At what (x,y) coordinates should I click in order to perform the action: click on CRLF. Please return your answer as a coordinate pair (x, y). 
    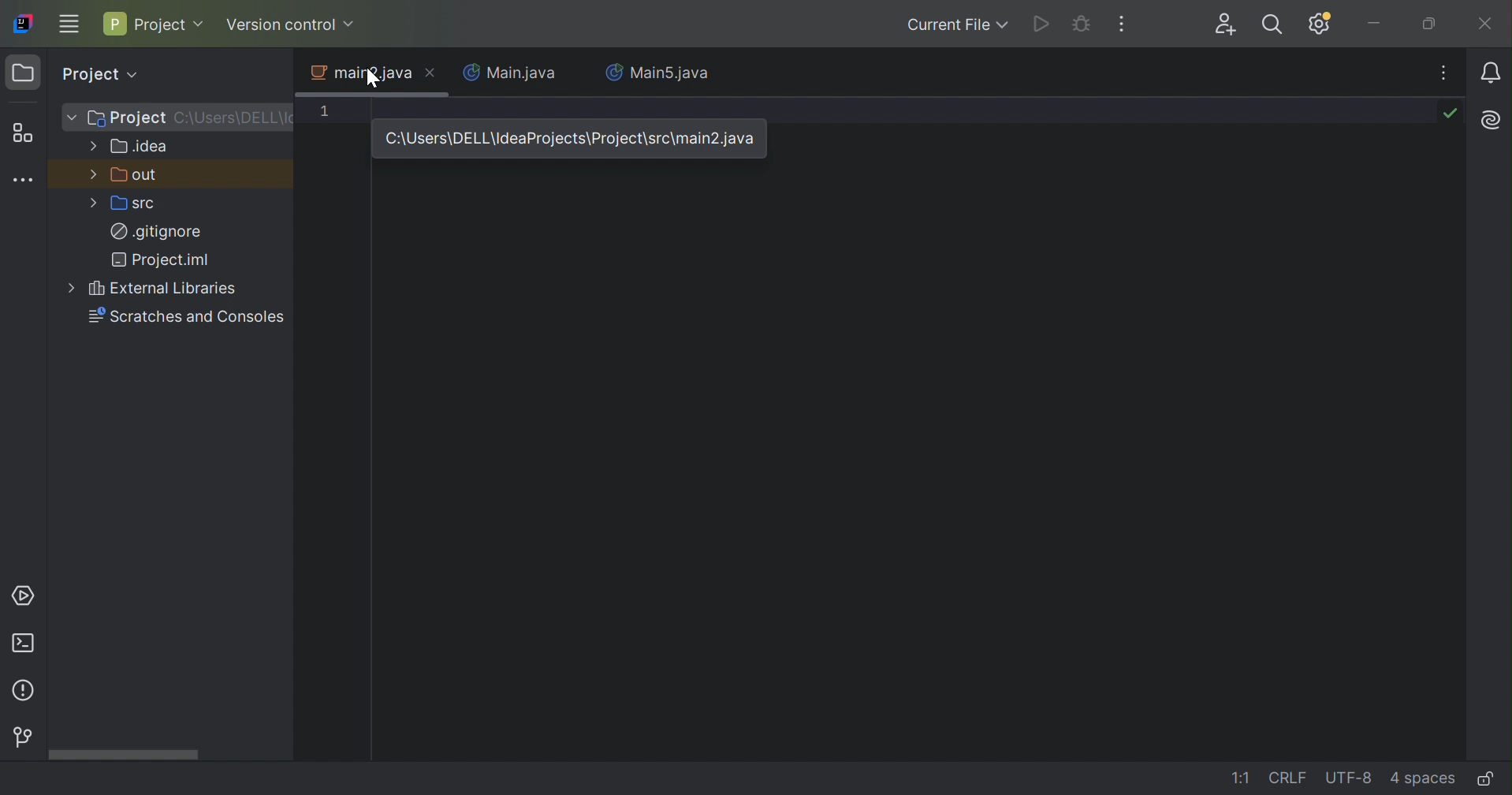
    Looking at the image, I should click on (1292, 777).